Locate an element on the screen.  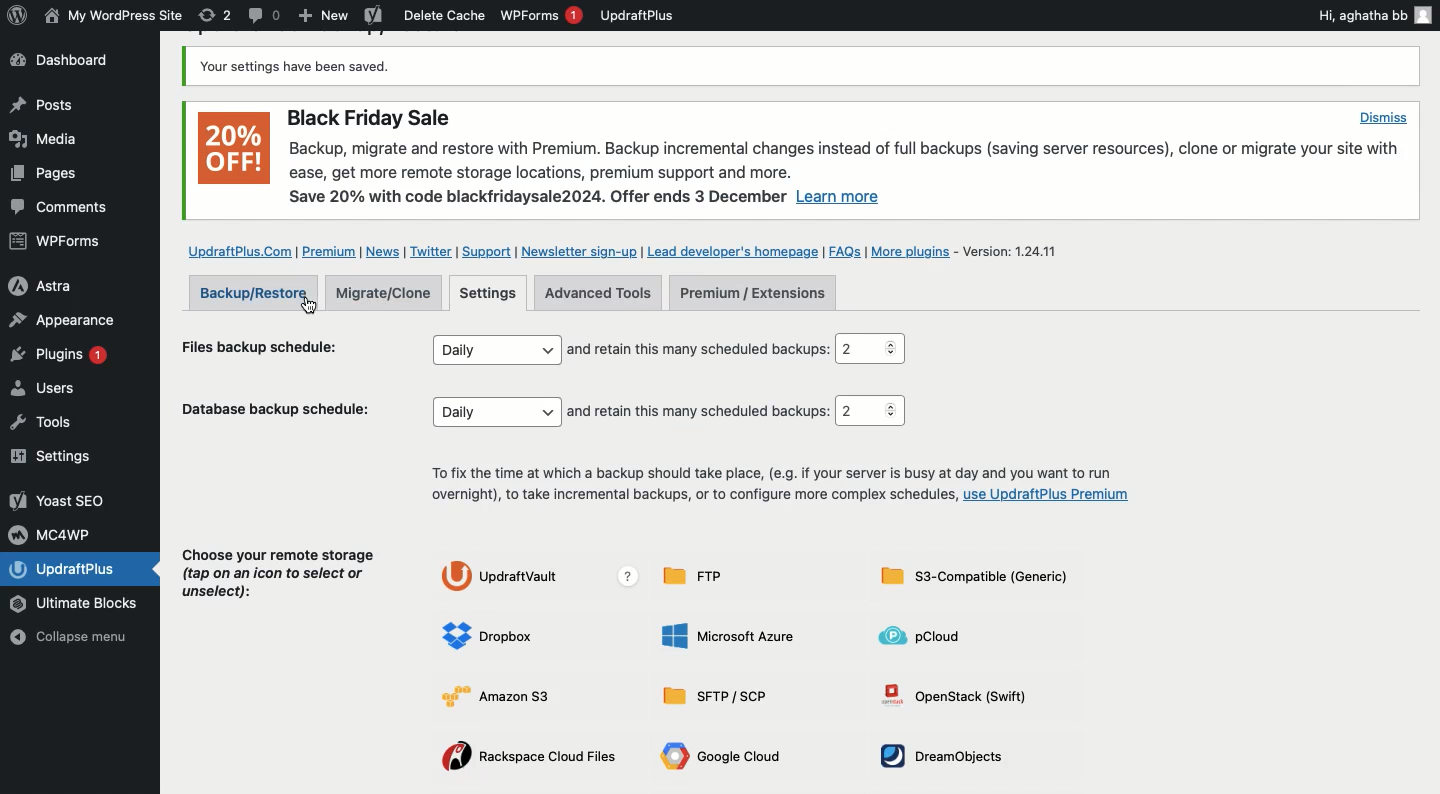
Daily is located at coordinates (498, 412).